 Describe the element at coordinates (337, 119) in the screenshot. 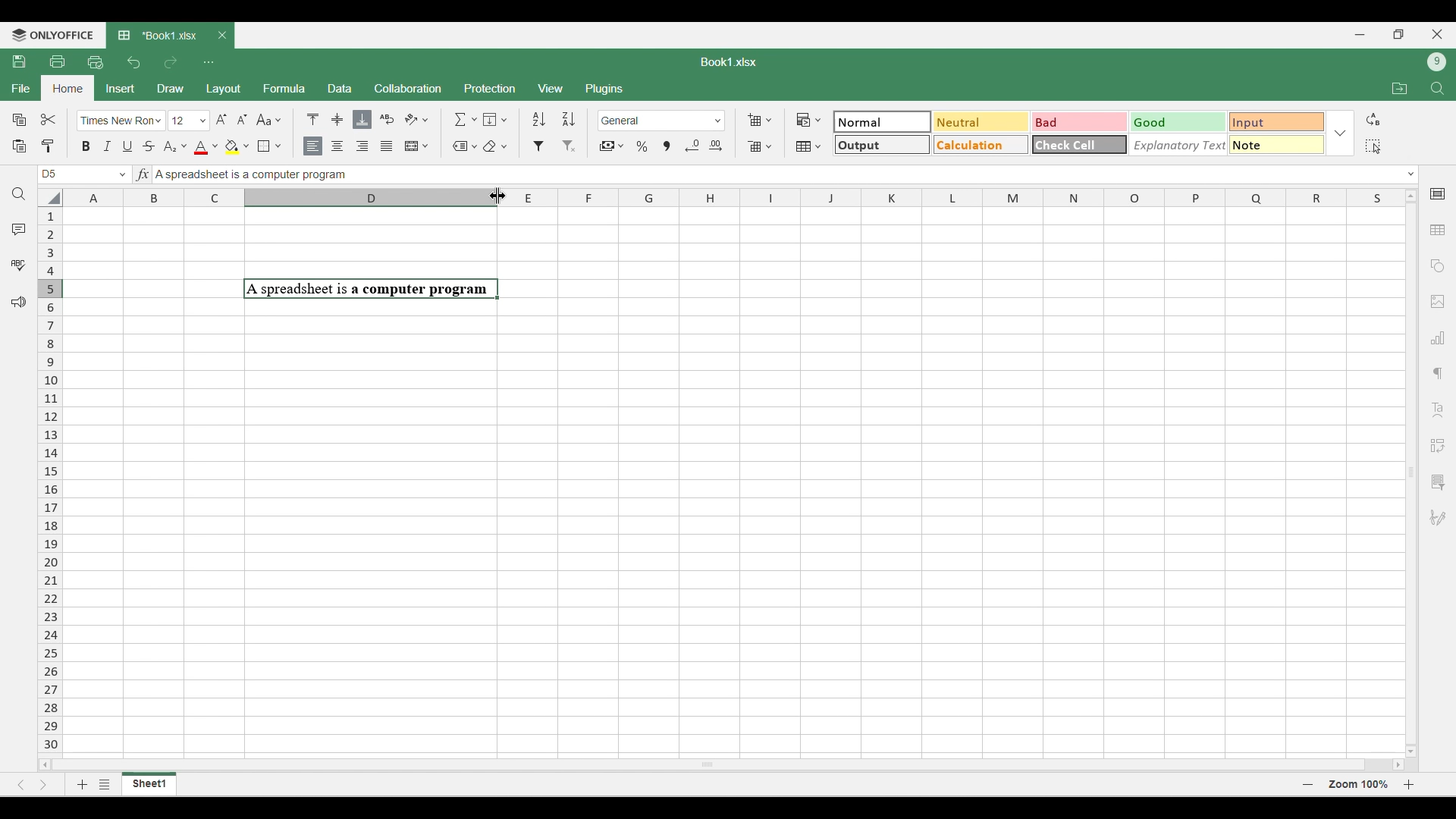

I see `Position alignment options` at that location.